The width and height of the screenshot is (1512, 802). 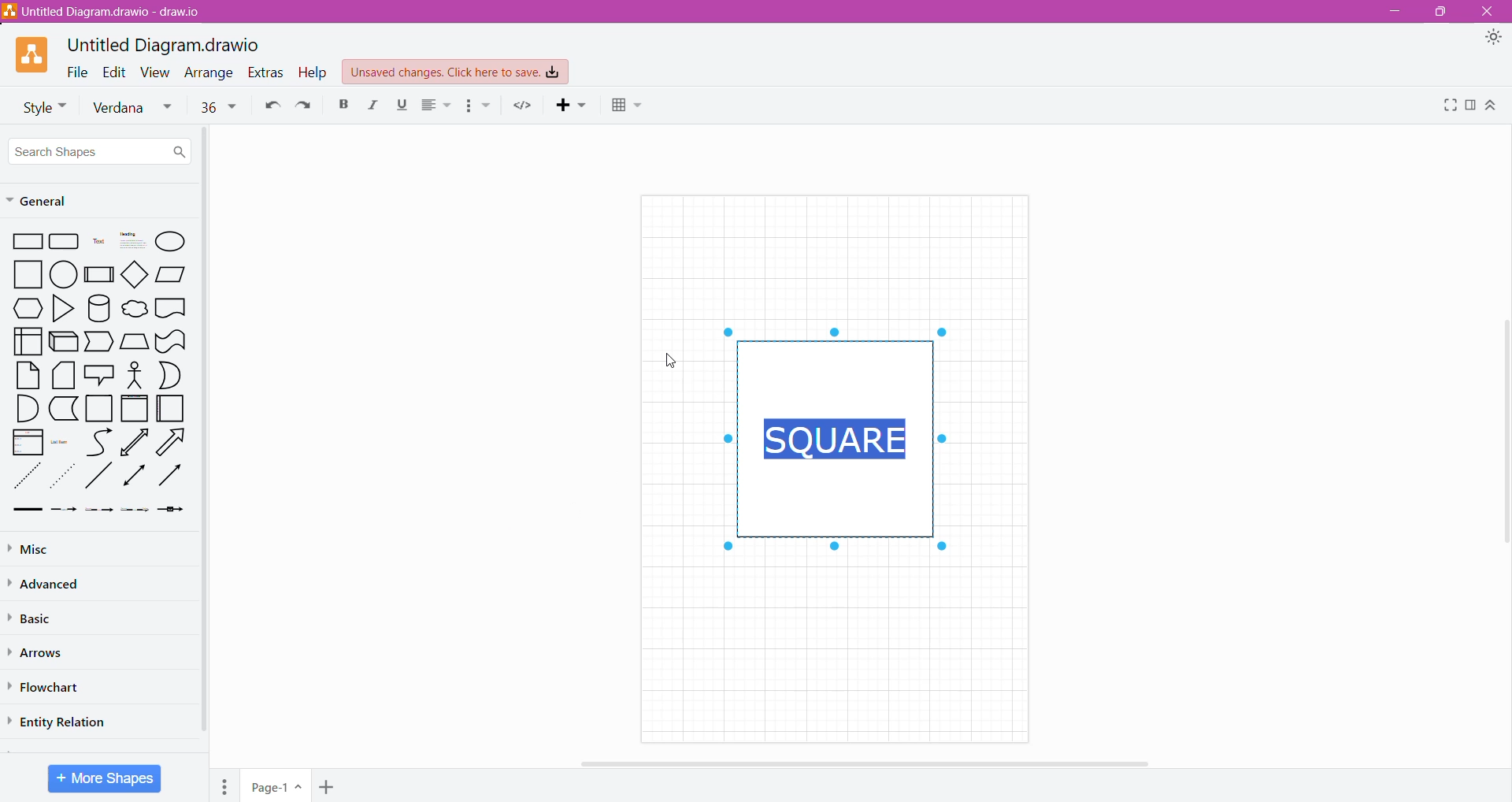 What do you see at coordinates (1498, 109) in the screenshot?
I see `Expand/Collapse` at bounding box center [1498, 109].